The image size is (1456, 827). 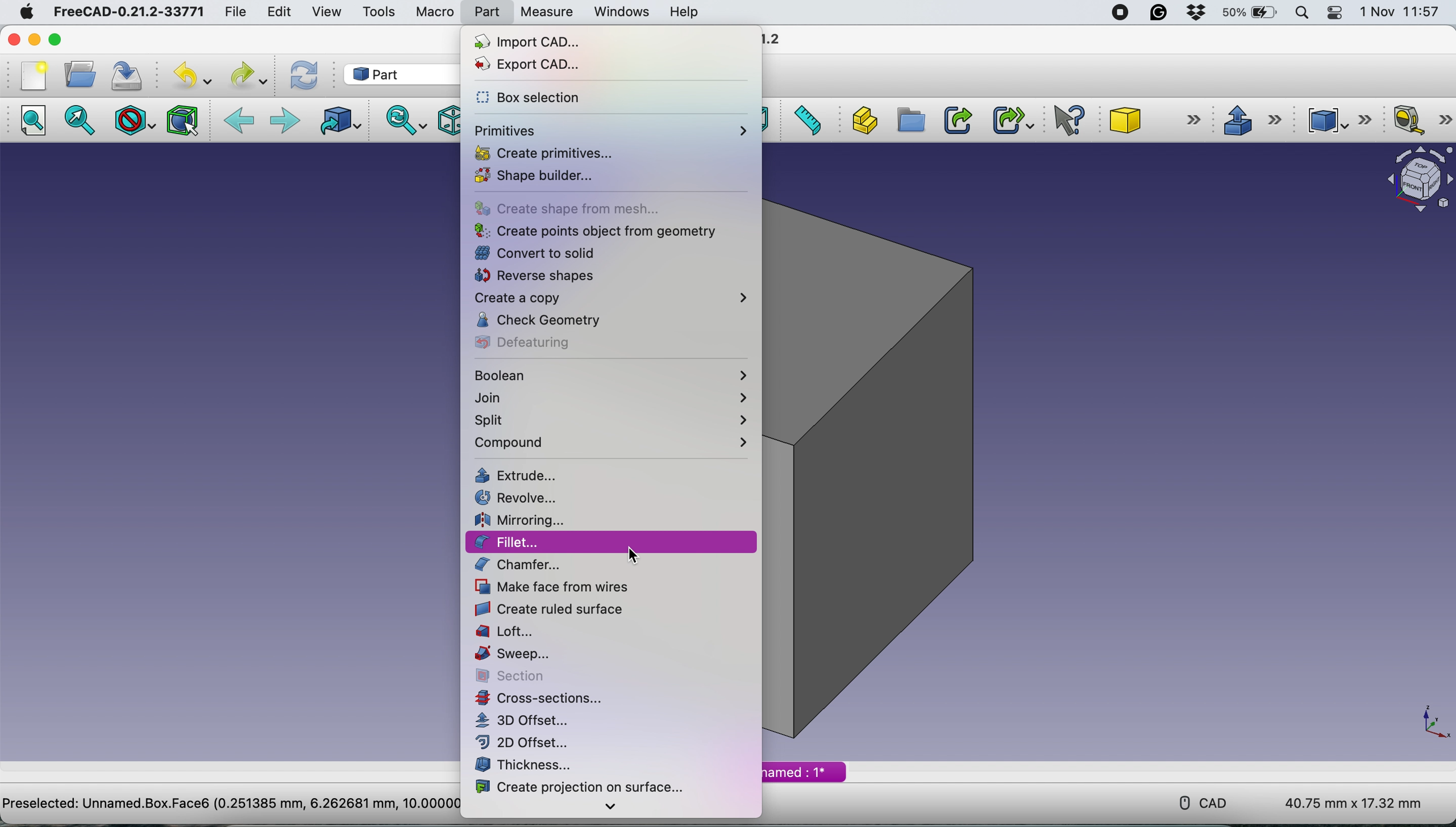 I want to click on create points object from geometry, so click(x=594, y=231).